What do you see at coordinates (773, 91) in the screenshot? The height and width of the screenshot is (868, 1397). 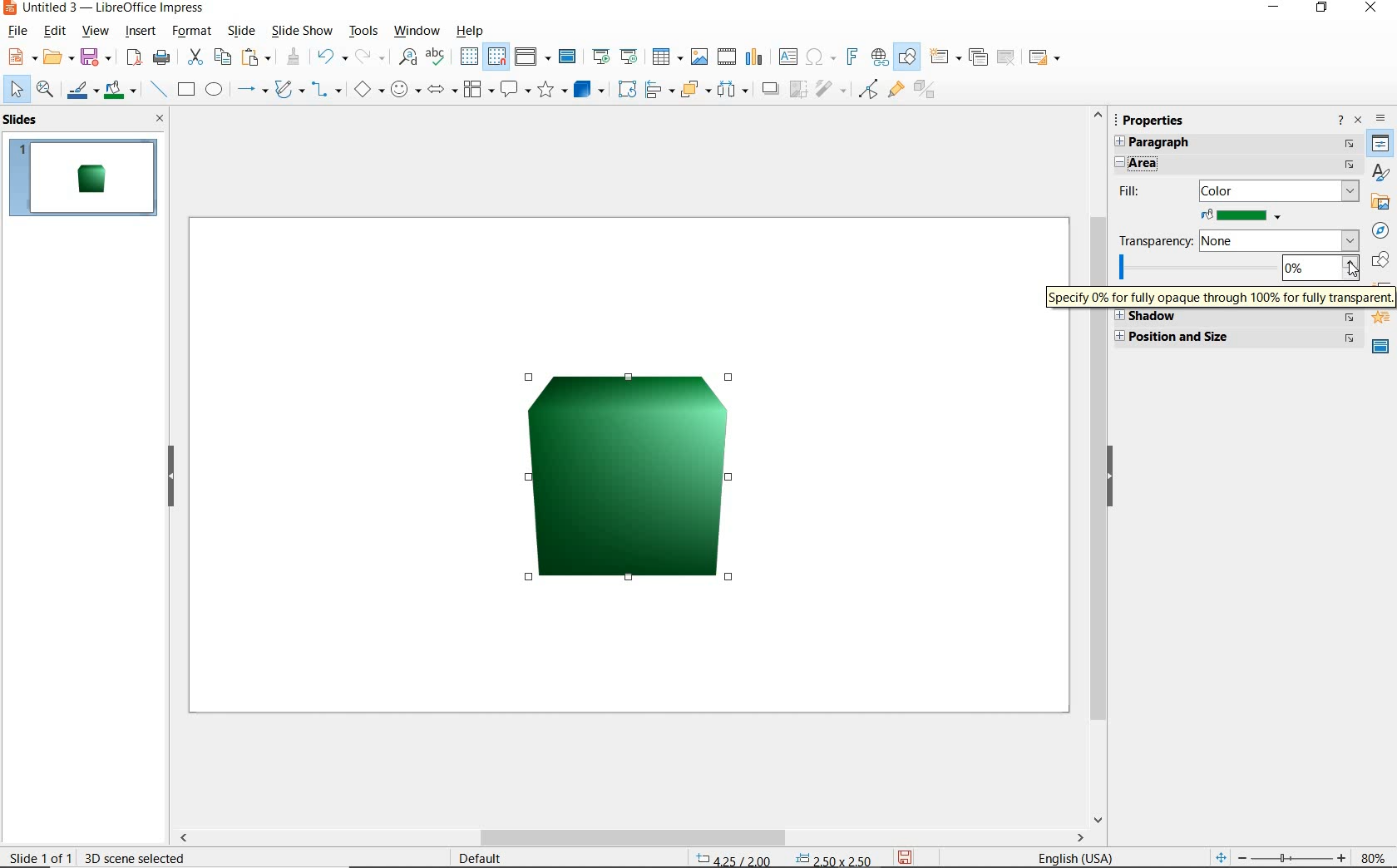 I see `SHADOW` at bounding box center [773, 91].